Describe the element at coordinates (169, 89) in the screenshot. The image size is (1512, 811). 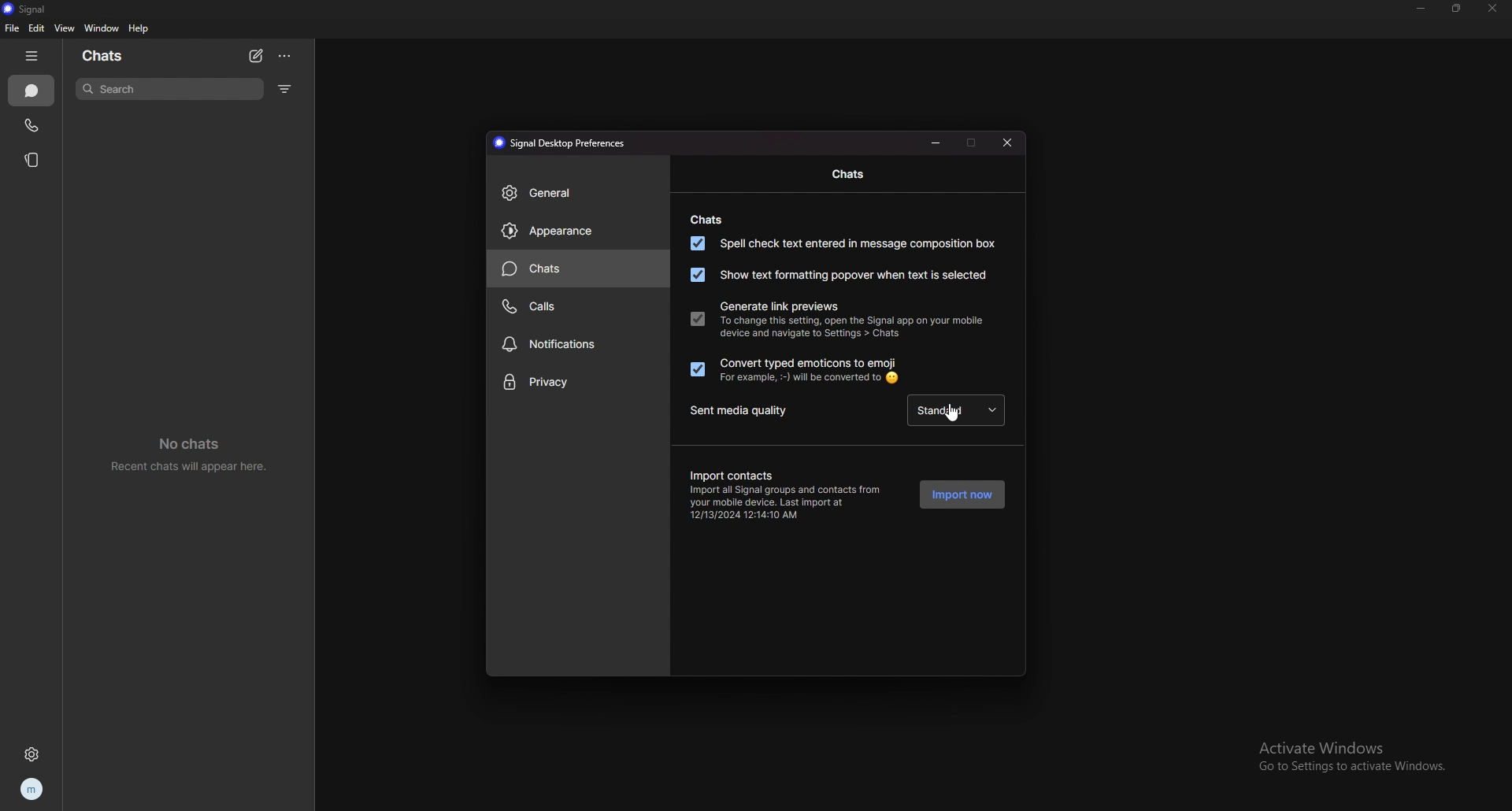
I see `search` at that location.